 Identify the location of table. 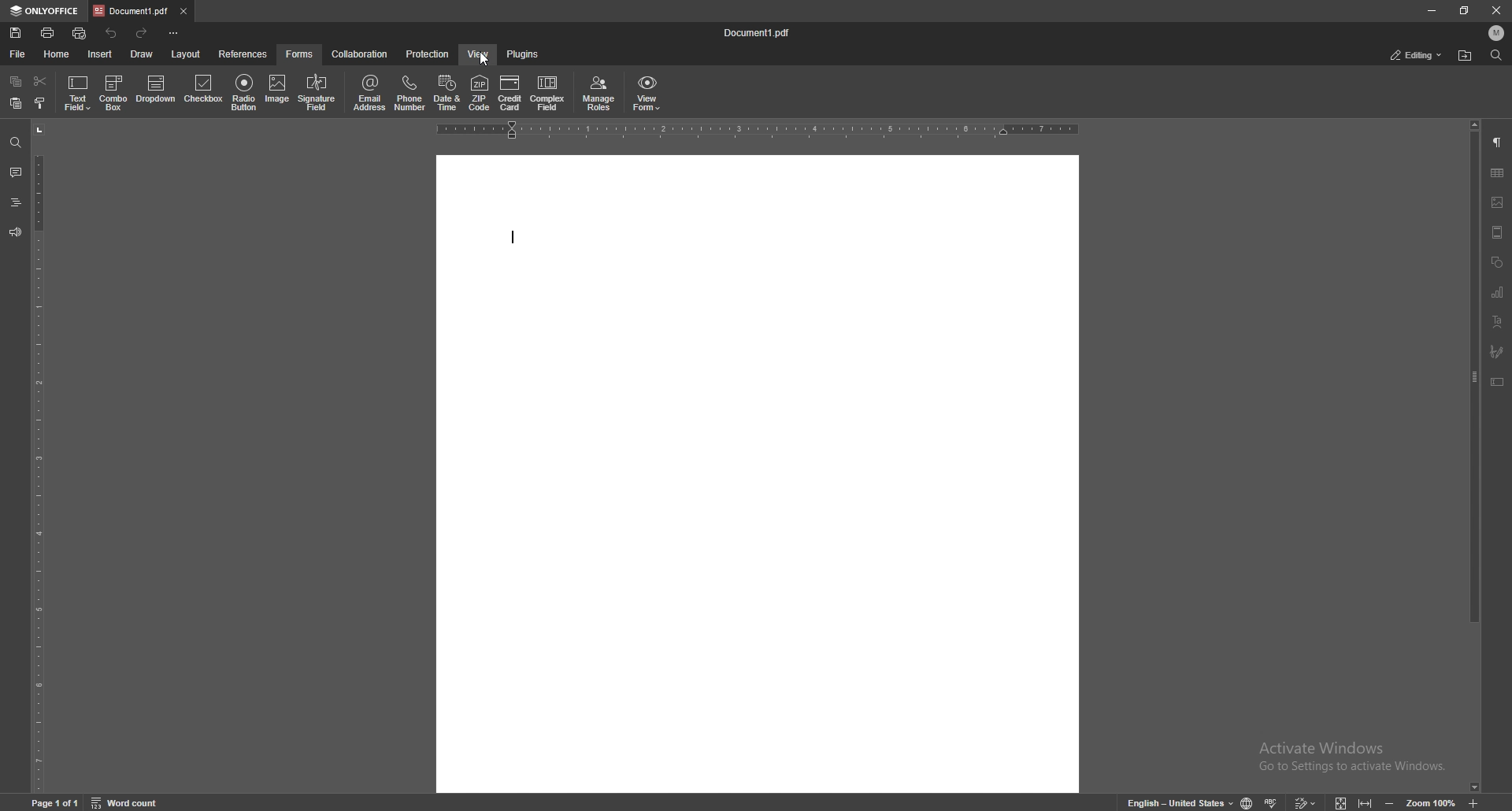
(1497, 173).